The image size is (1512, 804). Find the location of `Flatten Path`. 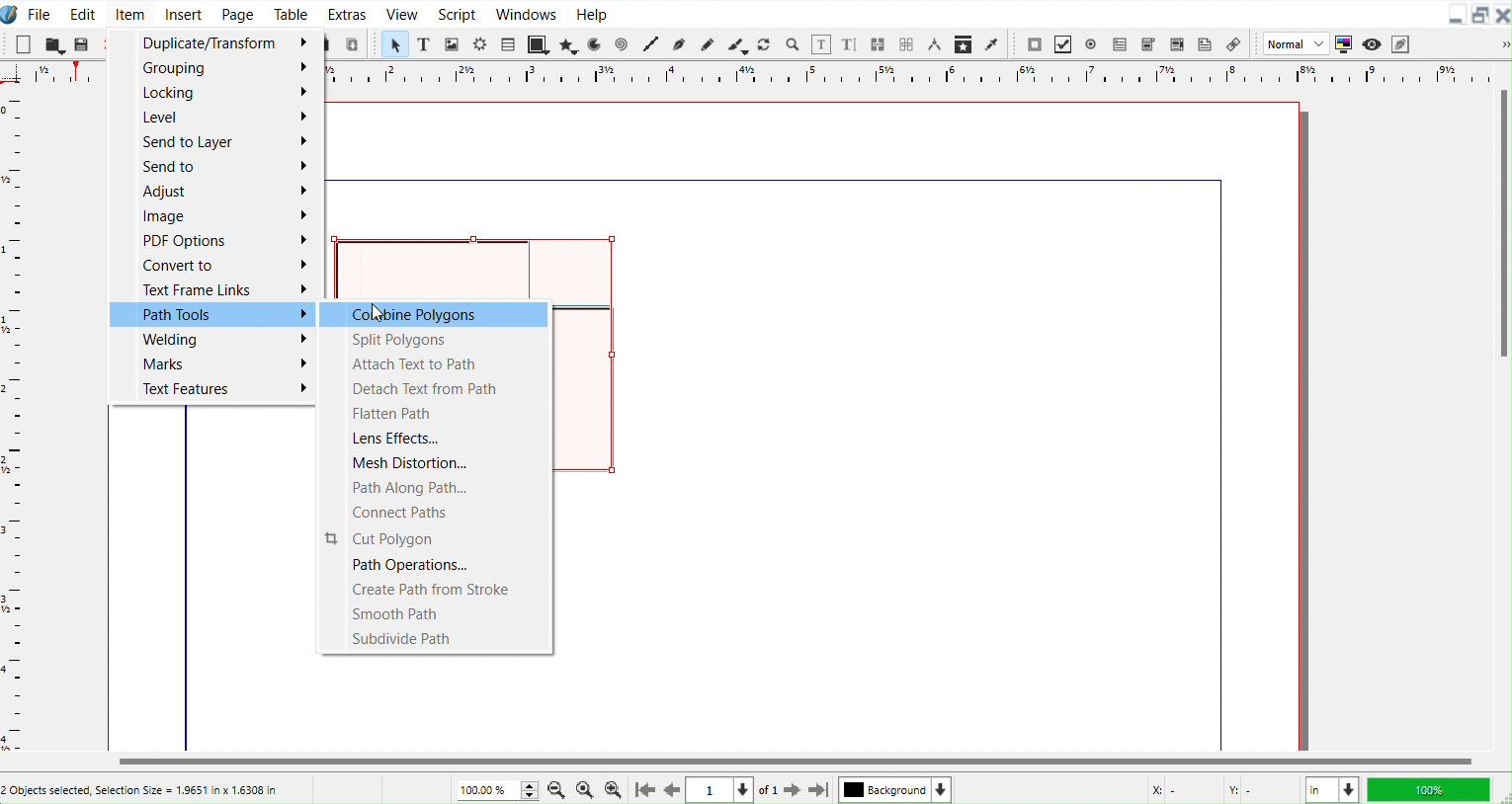

Flatten Path is located at coordinates (433, 412).